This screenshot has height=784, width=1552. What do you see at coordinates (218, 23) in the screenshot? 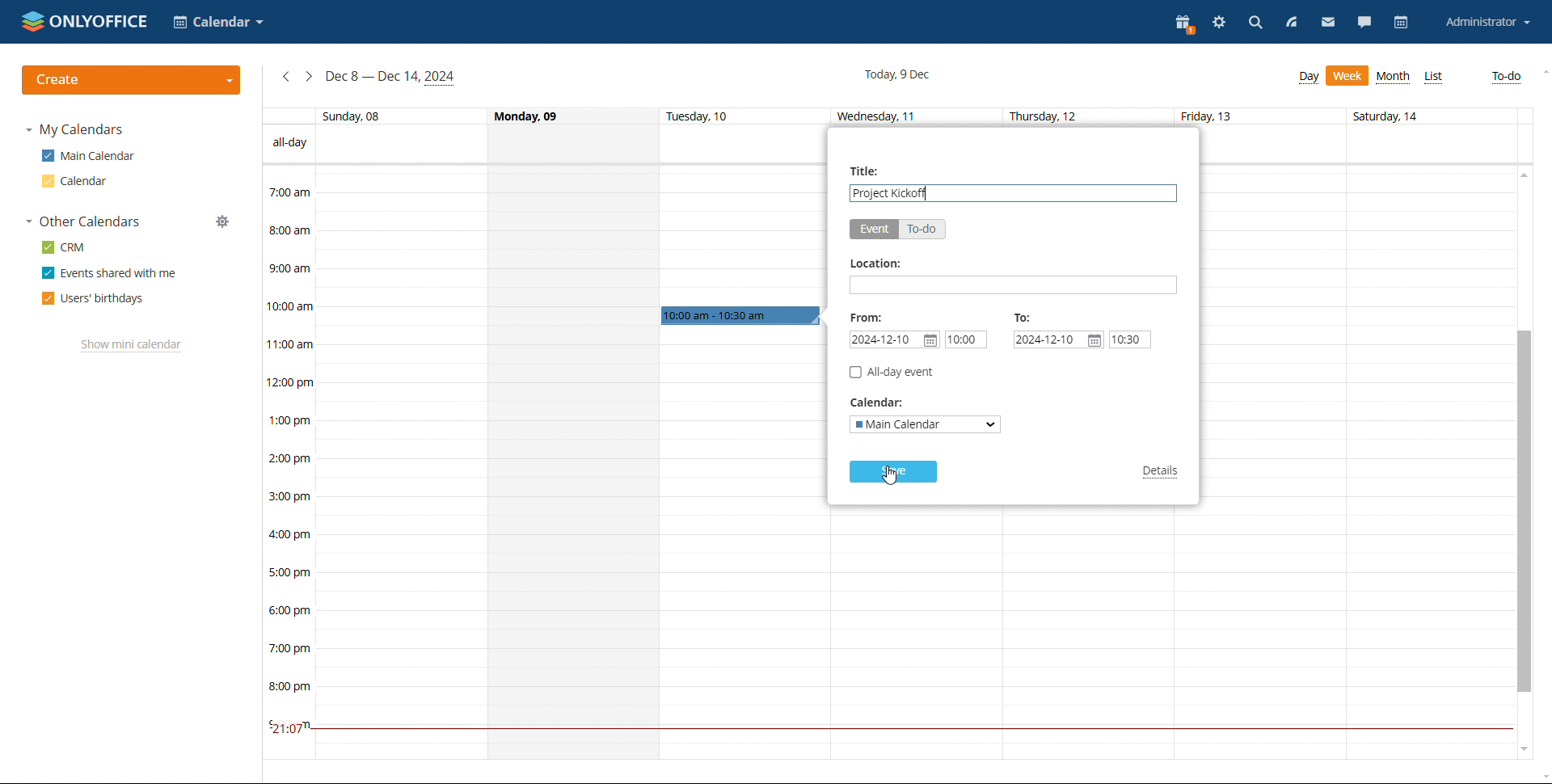
I see `calender` at bounding box center [218, 23].